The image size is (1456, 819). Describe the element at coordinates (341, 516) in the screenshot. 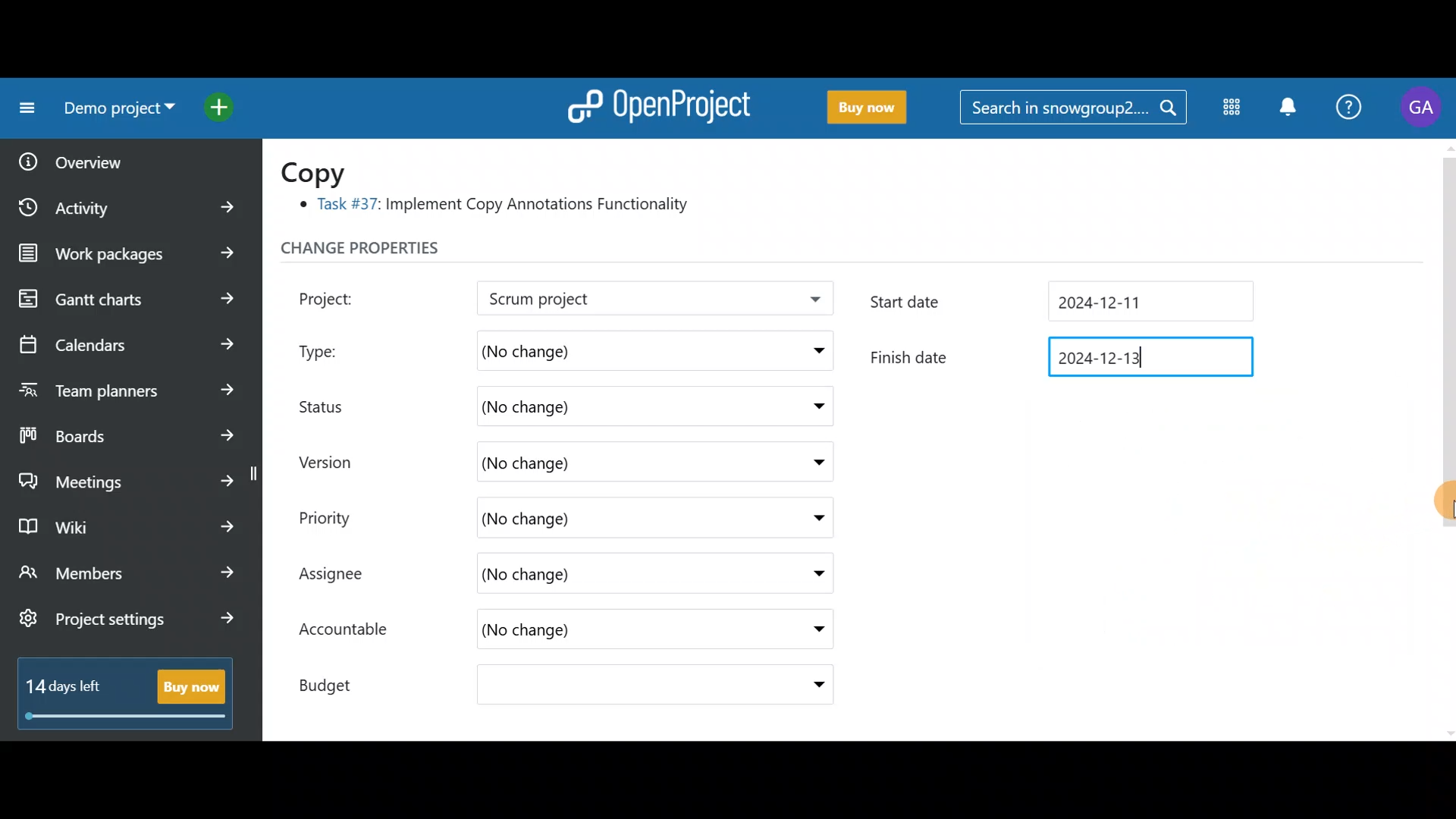

I see `Priority` at that location.